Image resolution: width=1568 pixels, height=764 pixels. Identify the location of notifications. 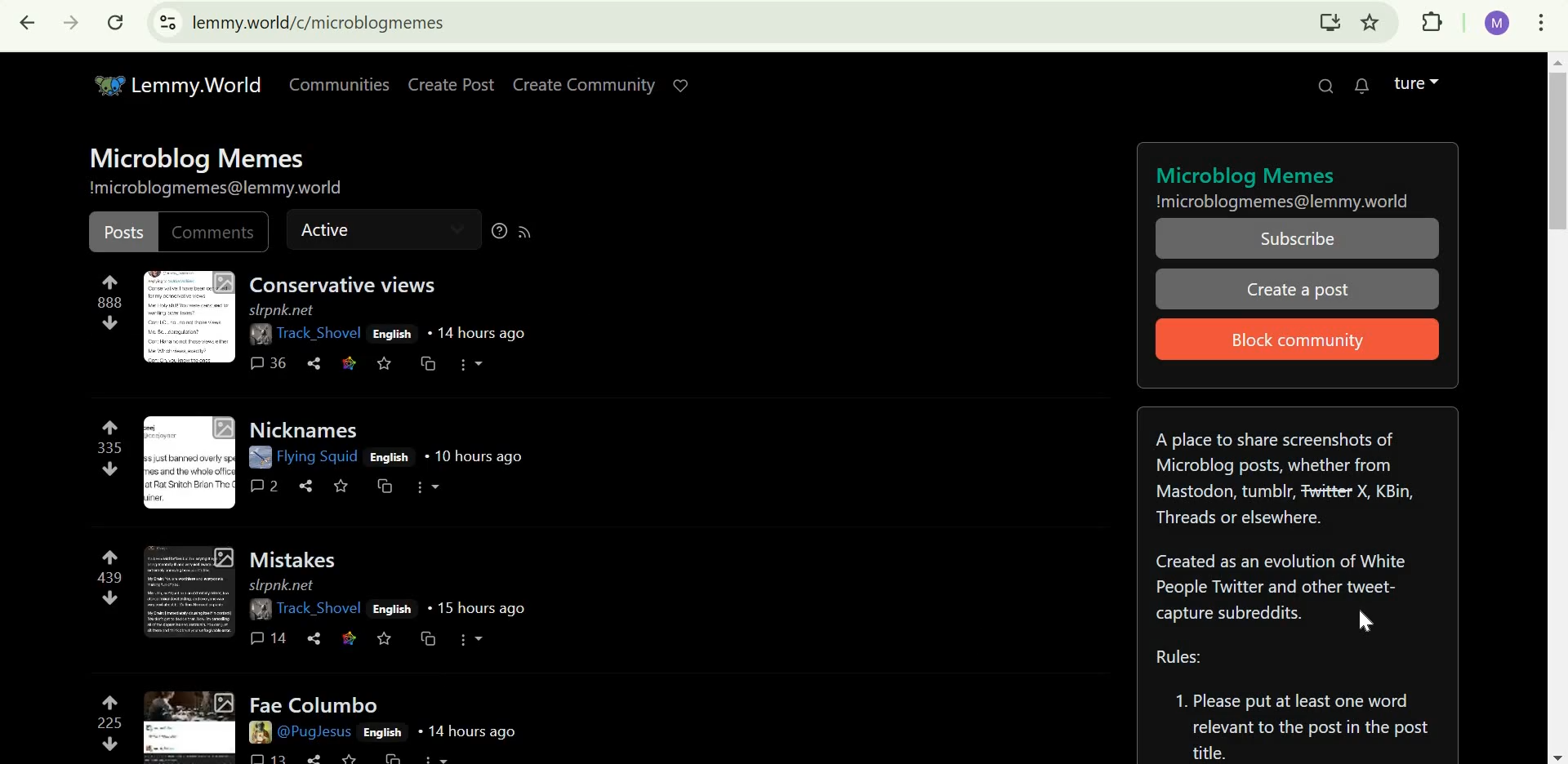
(1365, 87).